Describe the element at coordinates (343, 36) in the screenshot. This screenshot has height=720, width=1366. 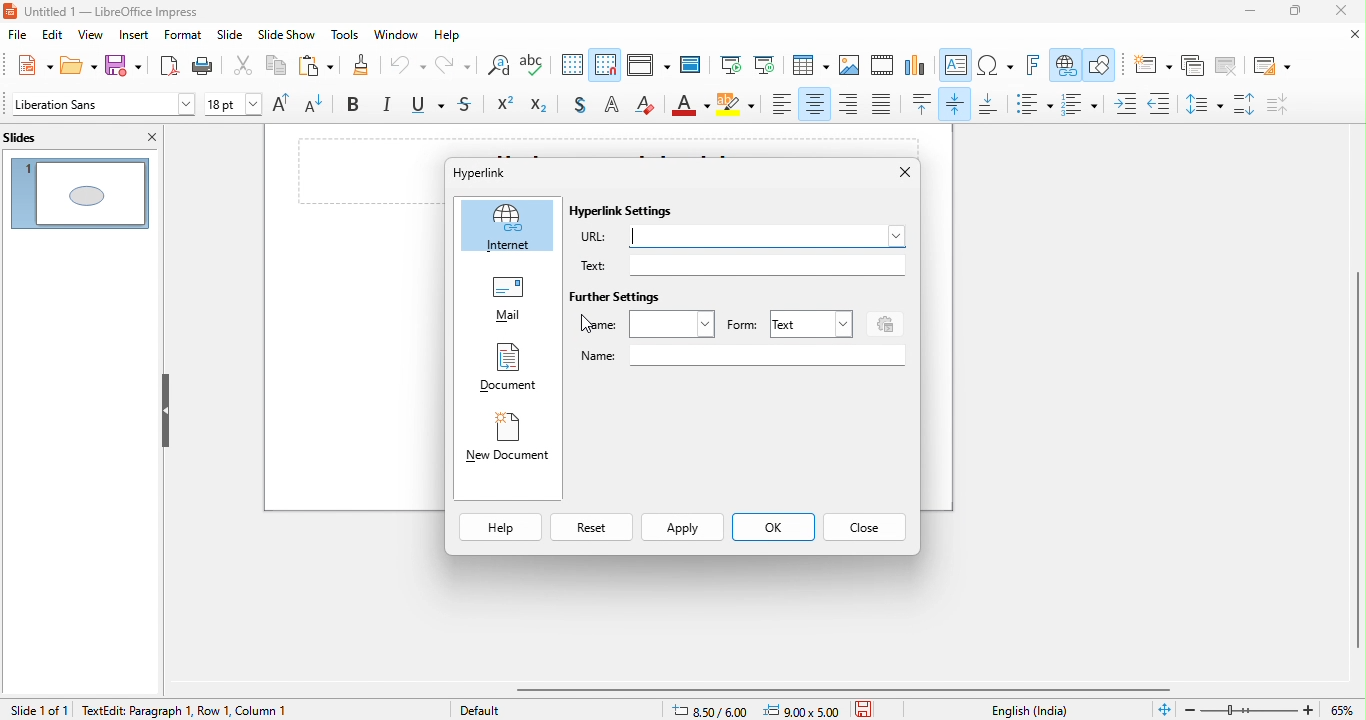
I see `tools` at that location.